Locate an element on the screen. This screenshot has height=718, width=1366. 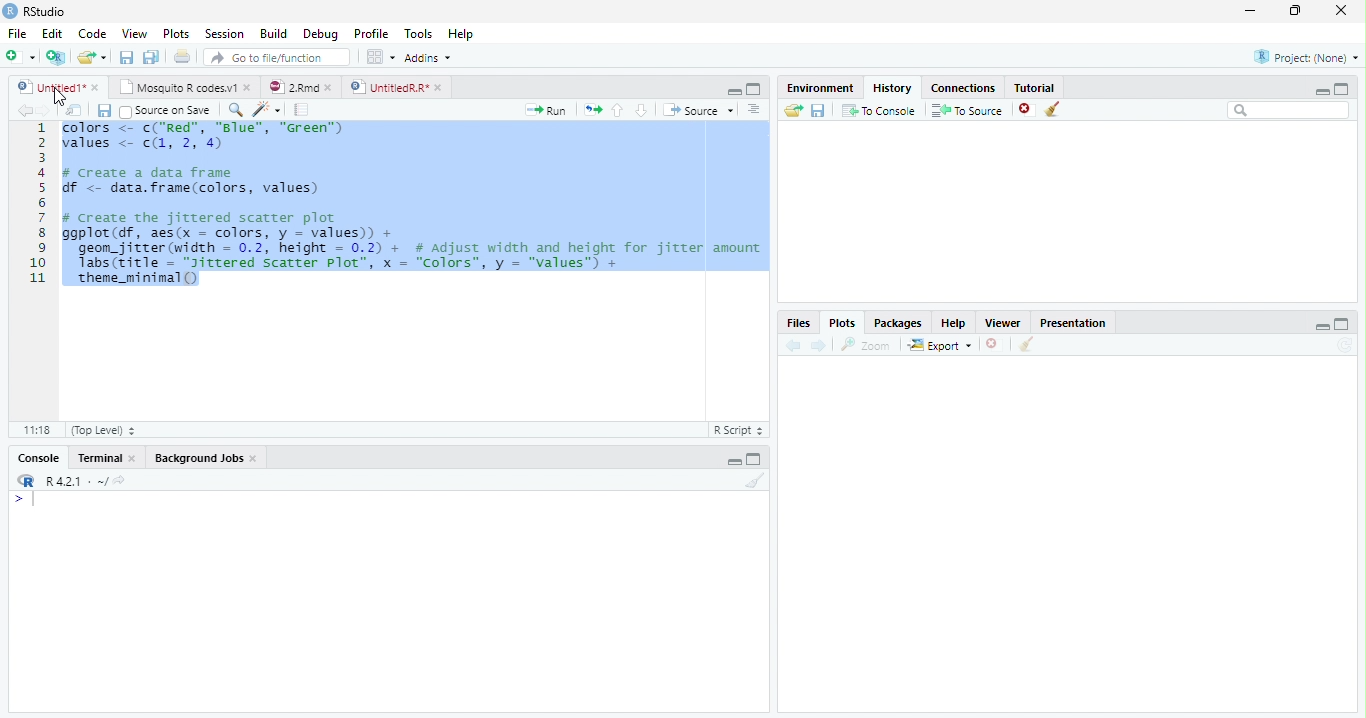
Console is located at coordinates (39, 457).